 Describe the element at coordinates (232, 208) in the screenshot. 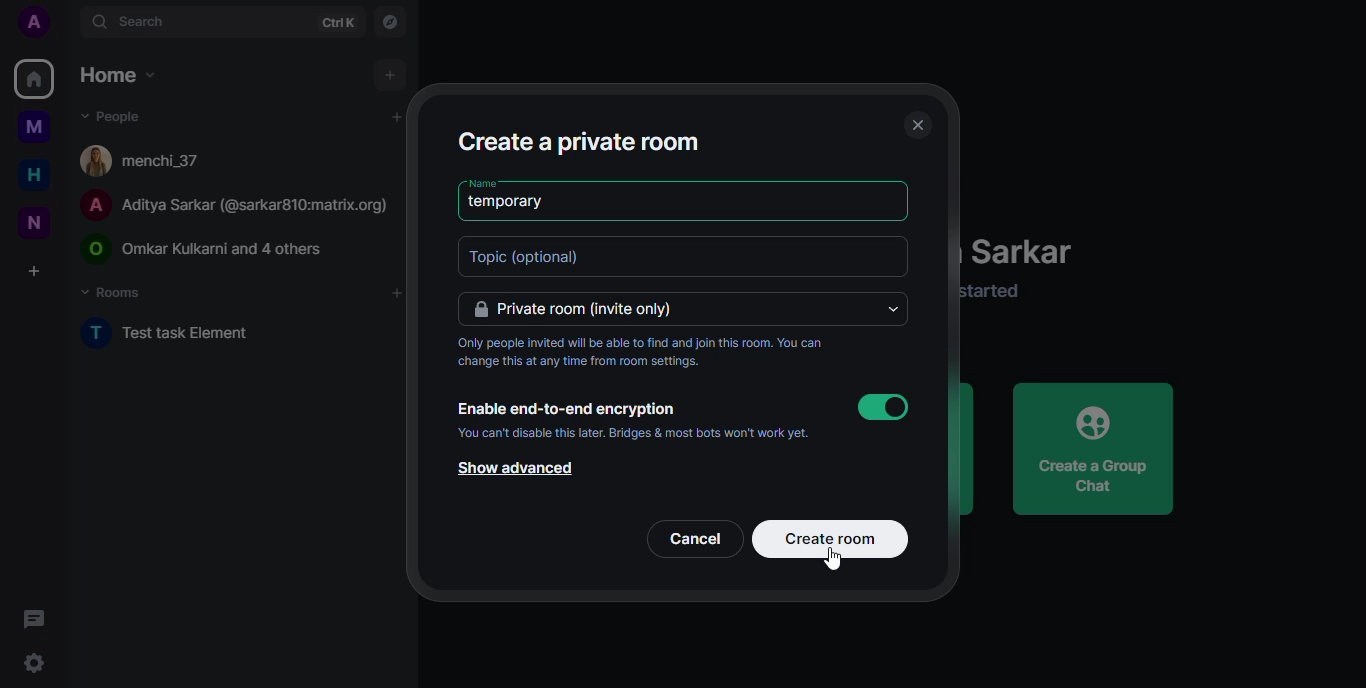

I see `A Aditya Sarkar (@sarkar810:matrix.org)` at that location.